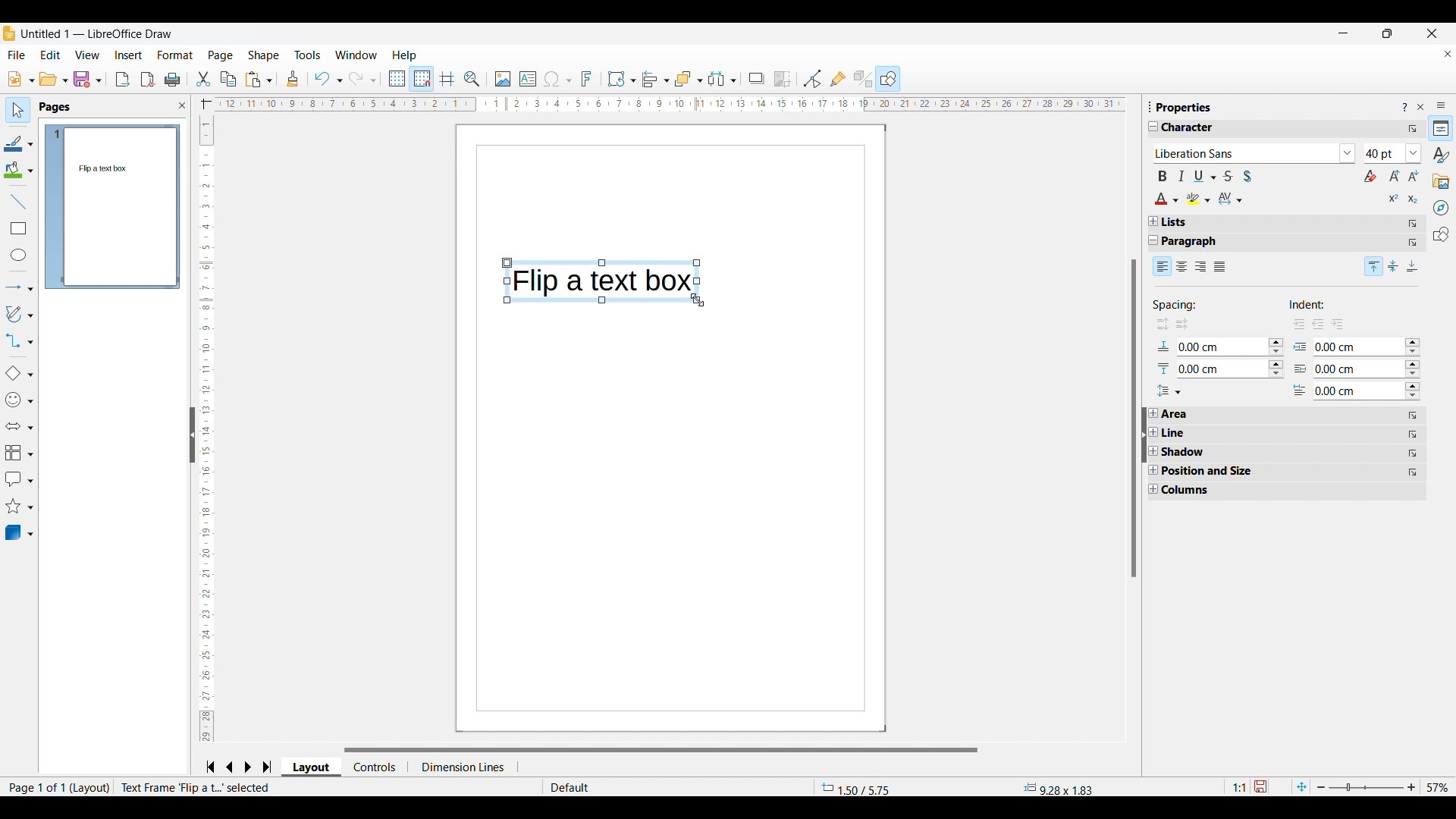 This screenshot has height=819, width=1456. Describe the element at coordinates (864, 79) in the screenshot. I see `Toggle extrusion` at that location.